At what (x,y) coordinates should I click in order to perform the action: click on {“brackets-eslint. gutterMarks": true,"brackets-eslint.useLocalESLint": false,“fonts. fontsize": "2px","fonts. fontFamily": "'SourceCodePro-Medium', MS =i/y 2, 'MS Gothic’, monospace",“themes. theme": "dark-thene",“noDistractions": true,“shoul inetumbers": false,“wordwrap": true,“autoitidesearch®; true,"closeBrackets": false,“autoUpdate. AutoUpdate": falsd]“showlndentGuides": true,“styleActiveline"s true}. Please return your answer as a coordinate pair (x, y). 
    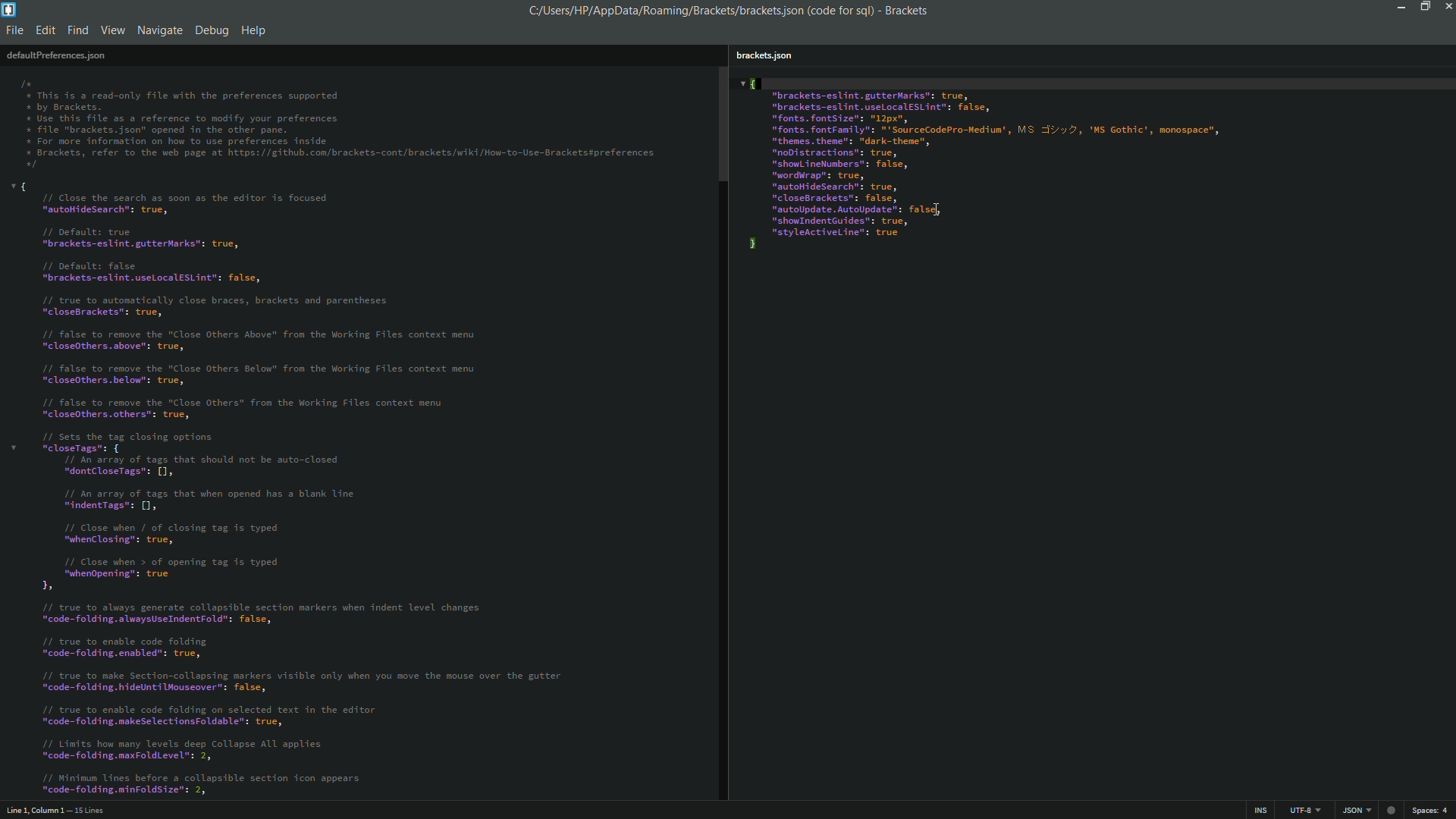
    Looking at the image, I should click on (1031, 165).